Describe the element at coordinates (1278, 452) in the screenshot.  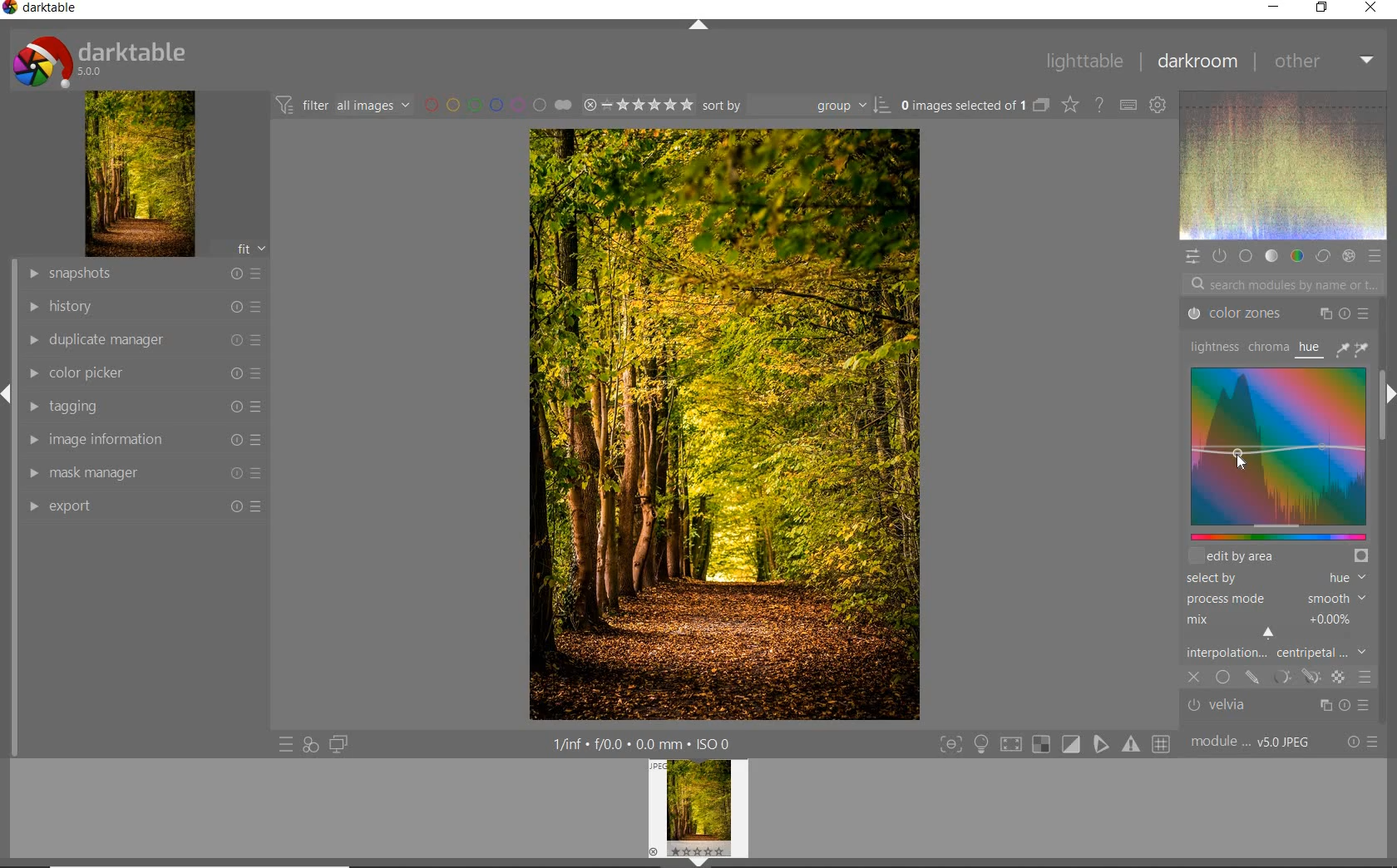
I see `color zones map` at that location.